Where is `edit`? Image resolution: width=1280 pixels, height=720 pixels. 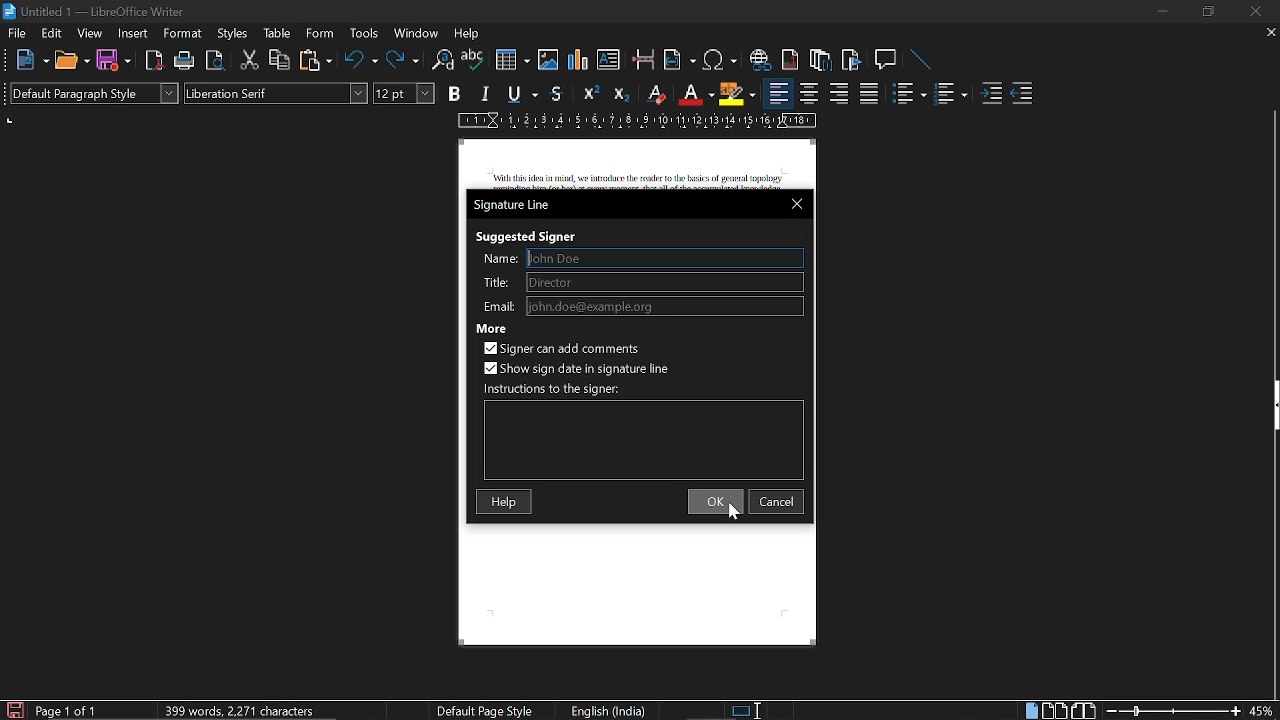
edit is located at coordinates (51, 33).